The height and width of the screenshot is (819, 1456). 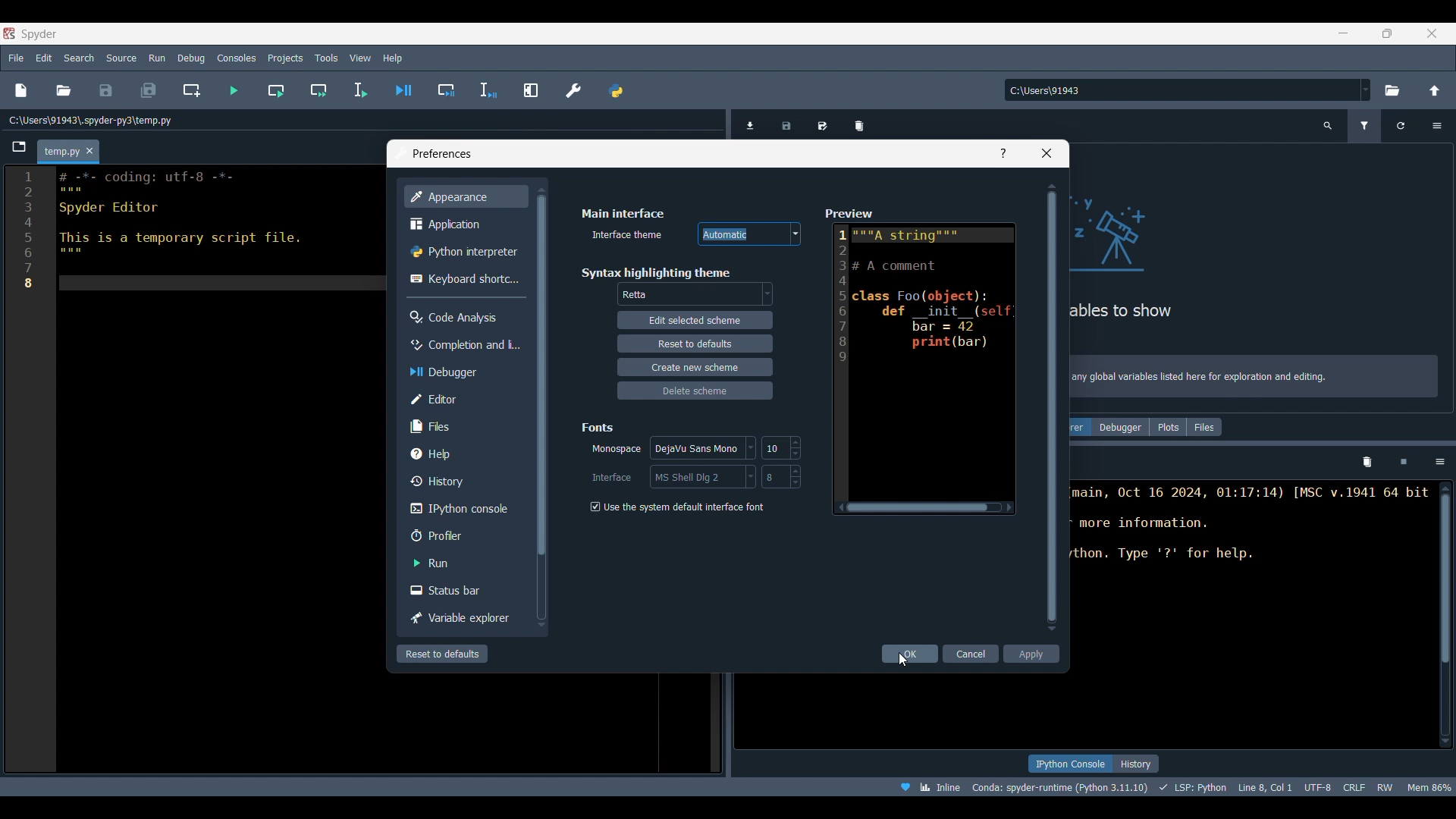 What do you see at coordinates (1440, 462) in the screenshot?
I see `Options` at bounding box center [1440, 462].